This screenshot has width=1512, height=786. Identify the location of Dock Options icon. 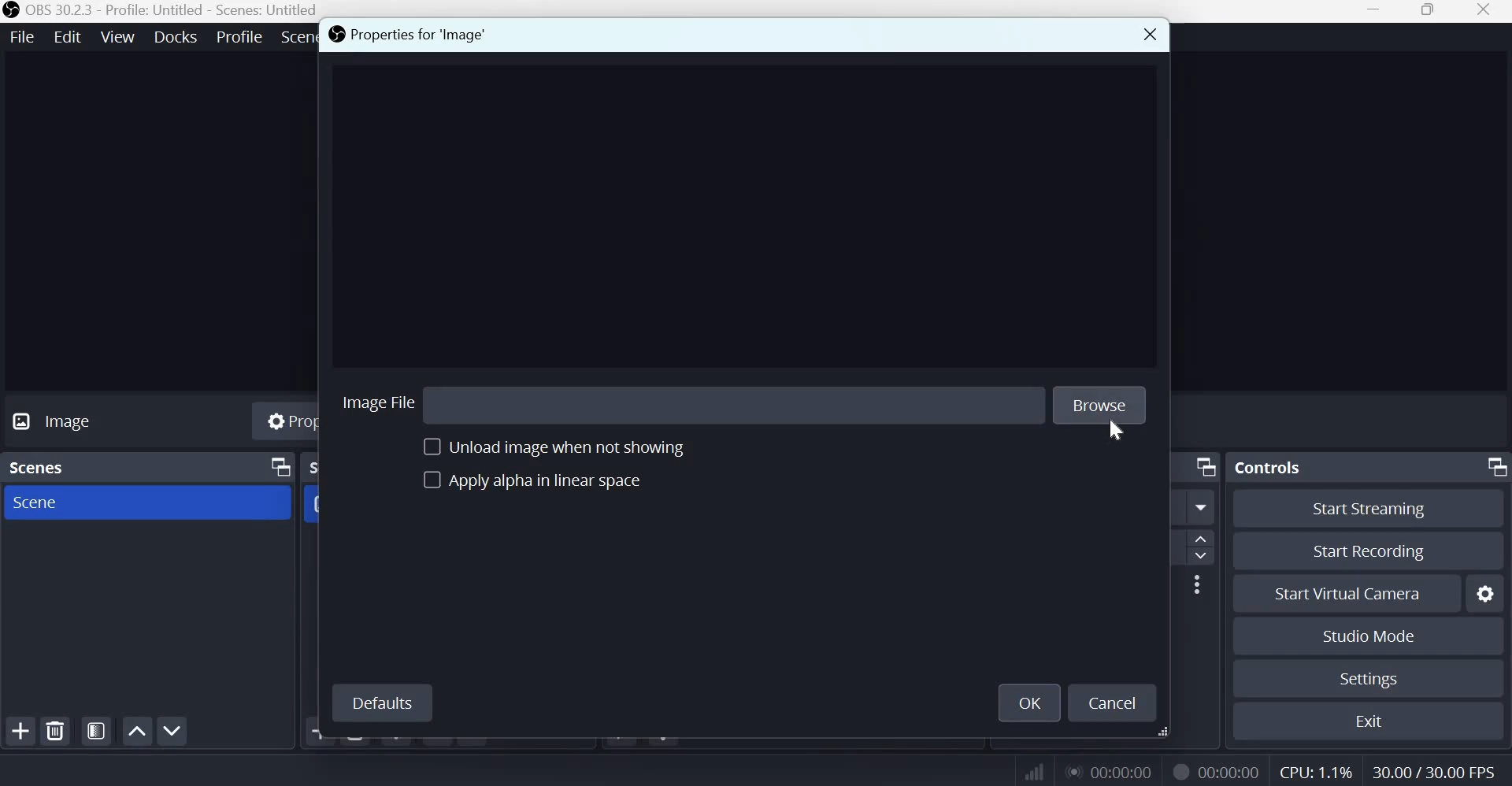
(1493, 468).